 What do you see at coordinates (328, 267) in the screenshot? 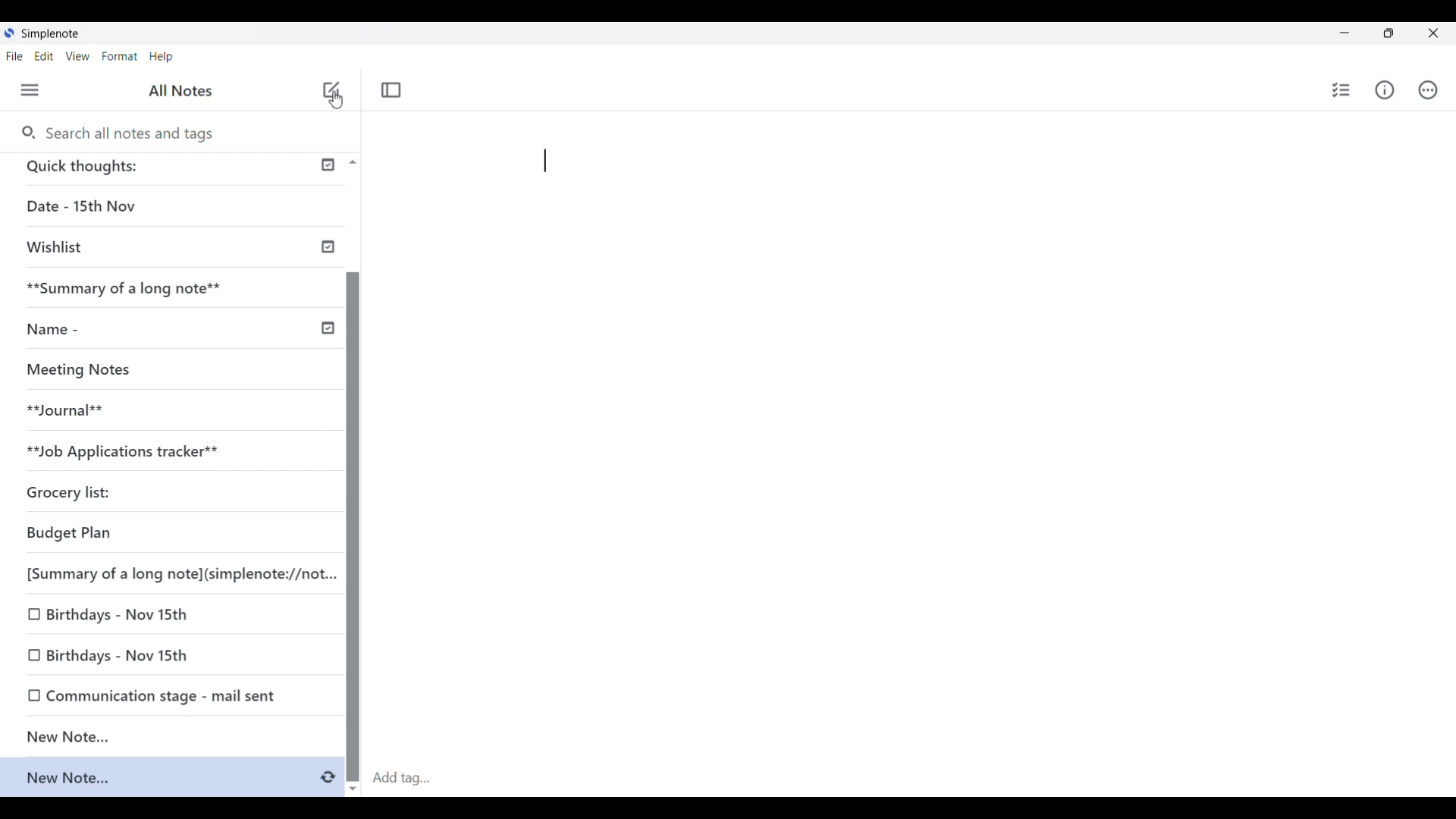
I see `Check icon indicating published notes` at bounding box center [328, 267].